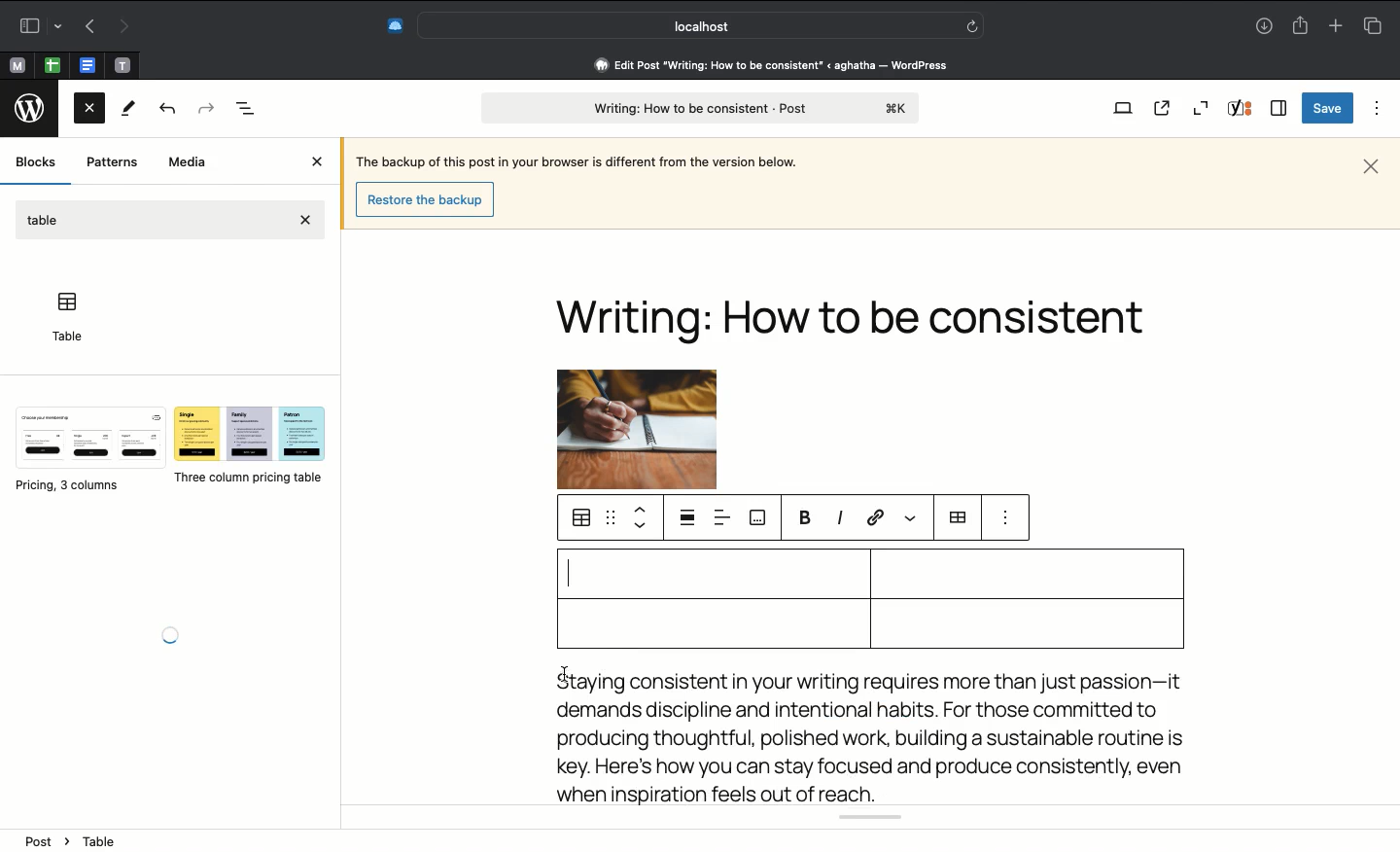 The image size is (1400, 852). I want to click on Image, so click(635, 411).